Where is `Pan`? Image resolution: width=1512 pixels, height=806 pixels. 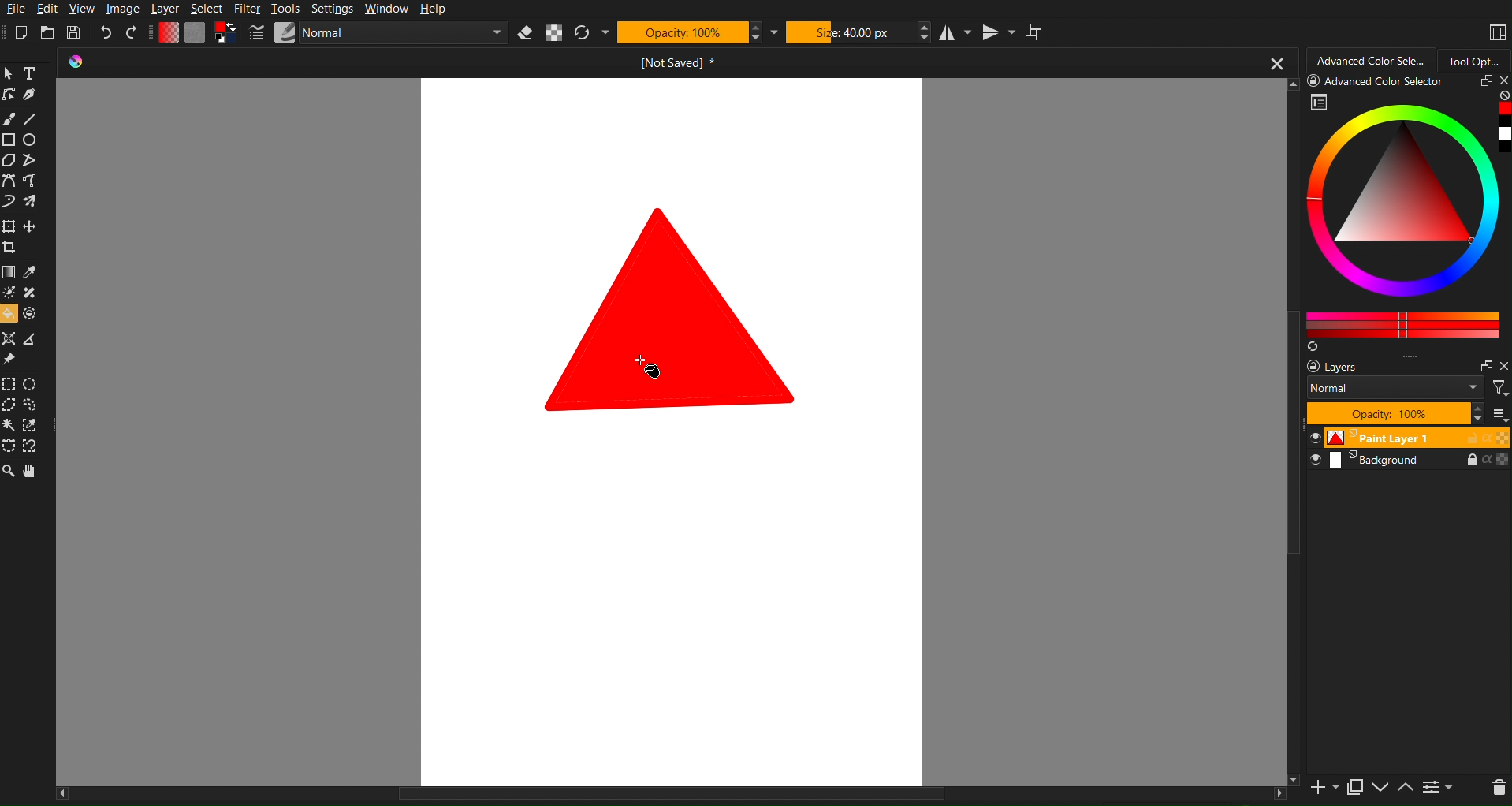
Pan is located at coordinates (33, 470).